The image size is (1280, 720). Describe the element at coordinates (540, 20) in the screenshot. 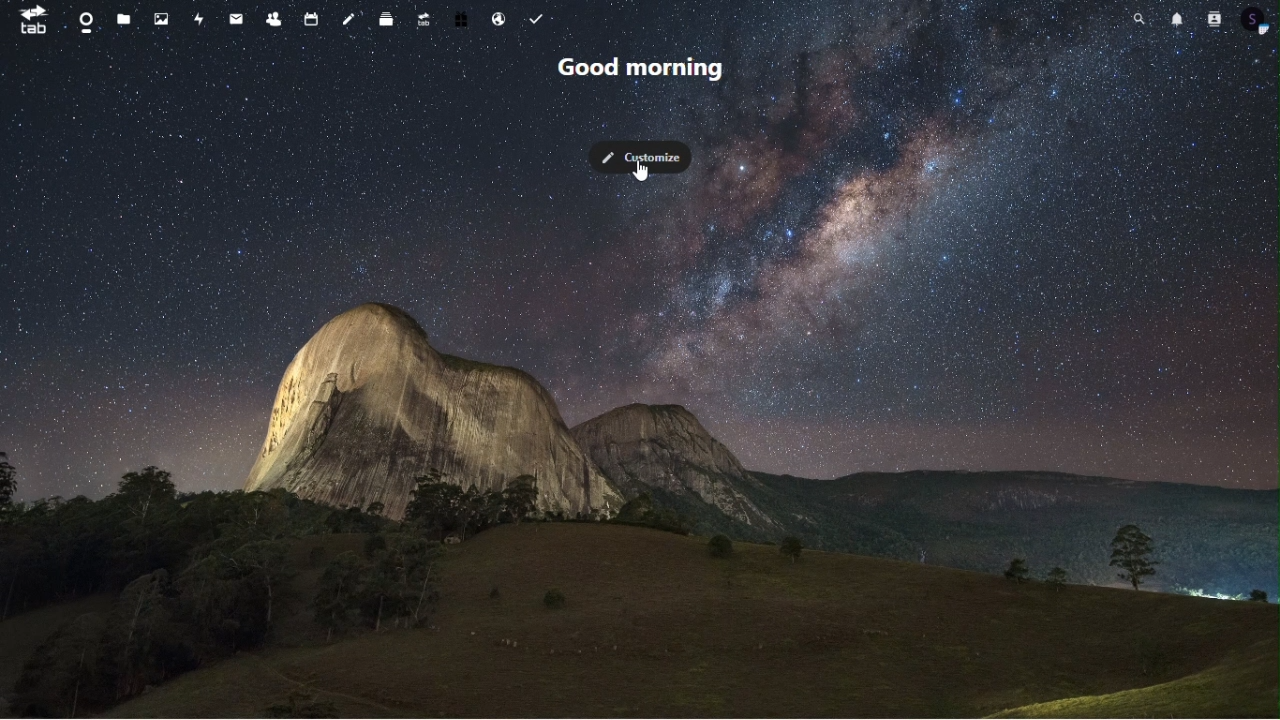

I see `task` at that location.